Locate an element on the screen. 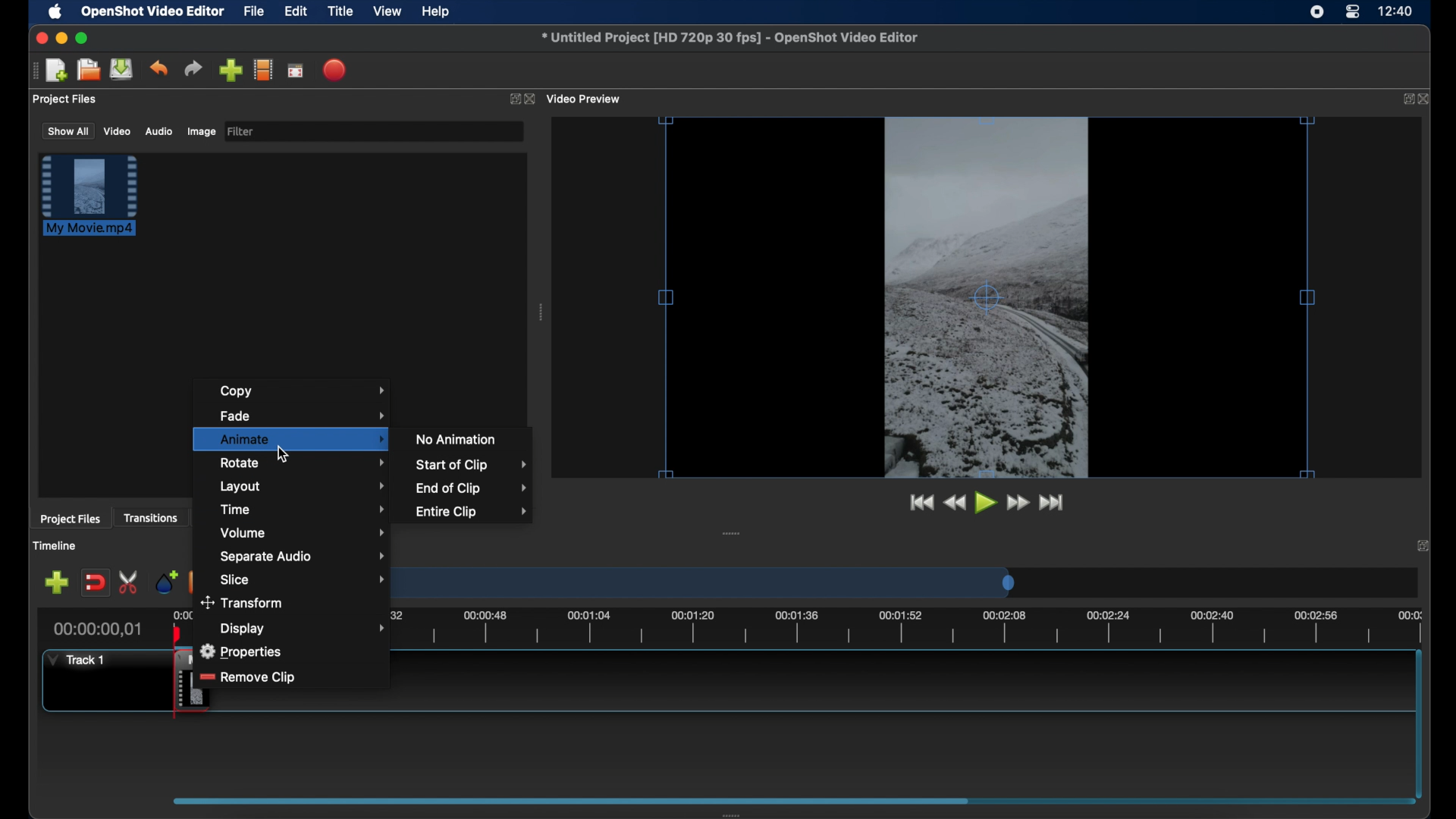 This screenshot has height=819, width=1456. add track is located at coordinates (56, 583).